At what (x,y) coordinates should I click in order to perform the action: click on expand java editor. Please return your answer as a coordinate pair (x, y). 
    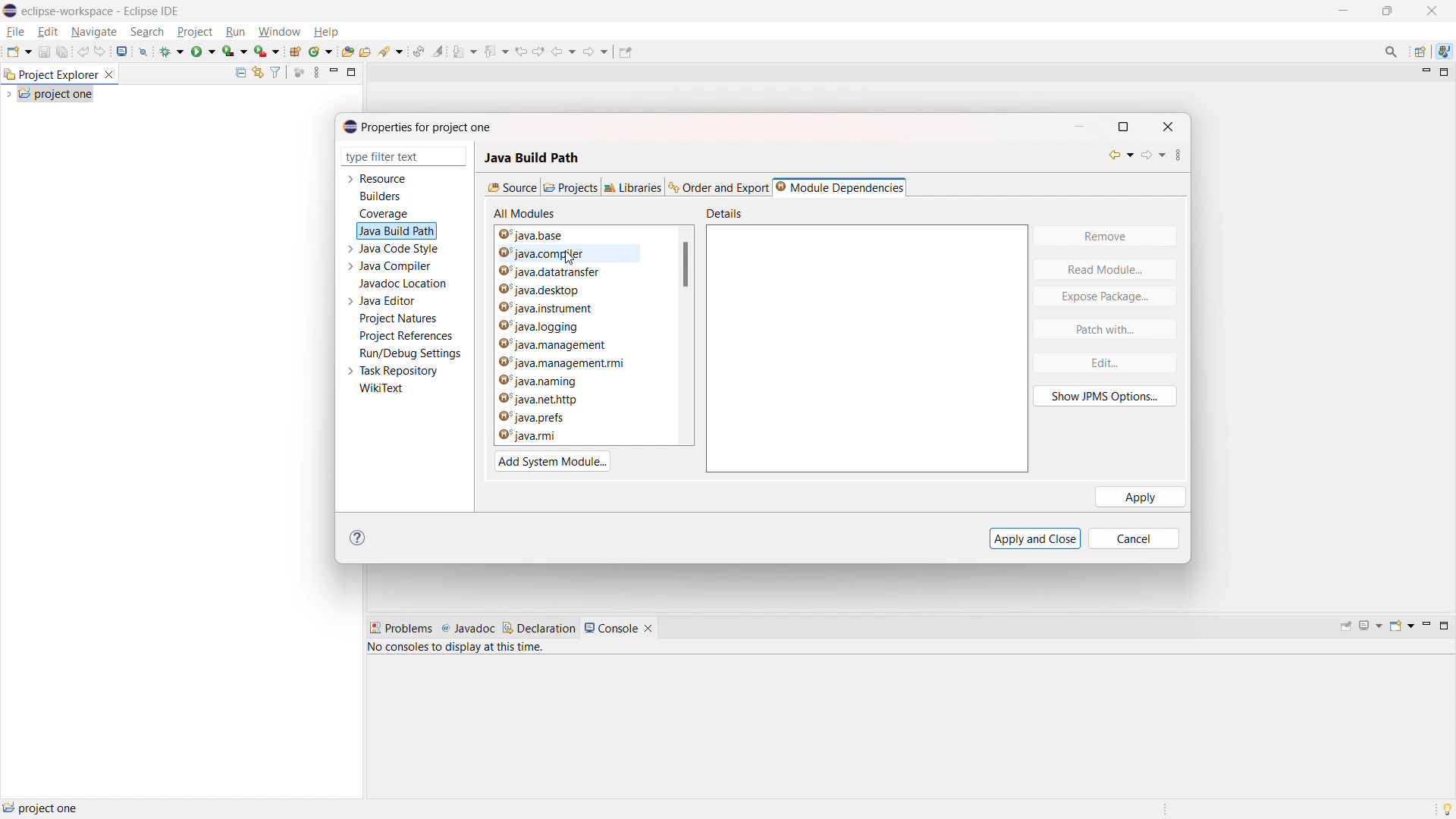
    Looking at the image, I should click on (350, 301).